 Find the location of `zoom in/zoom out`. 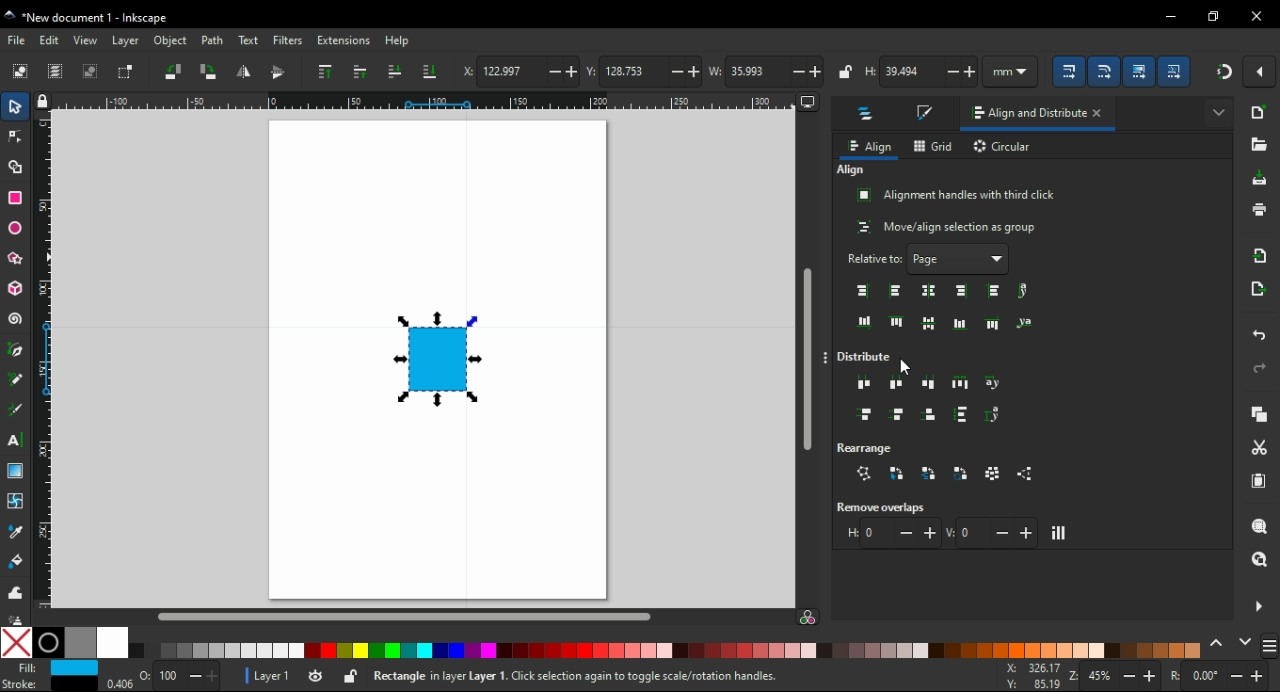

zoom in/zoom out is located at coordinates (1111, 676).